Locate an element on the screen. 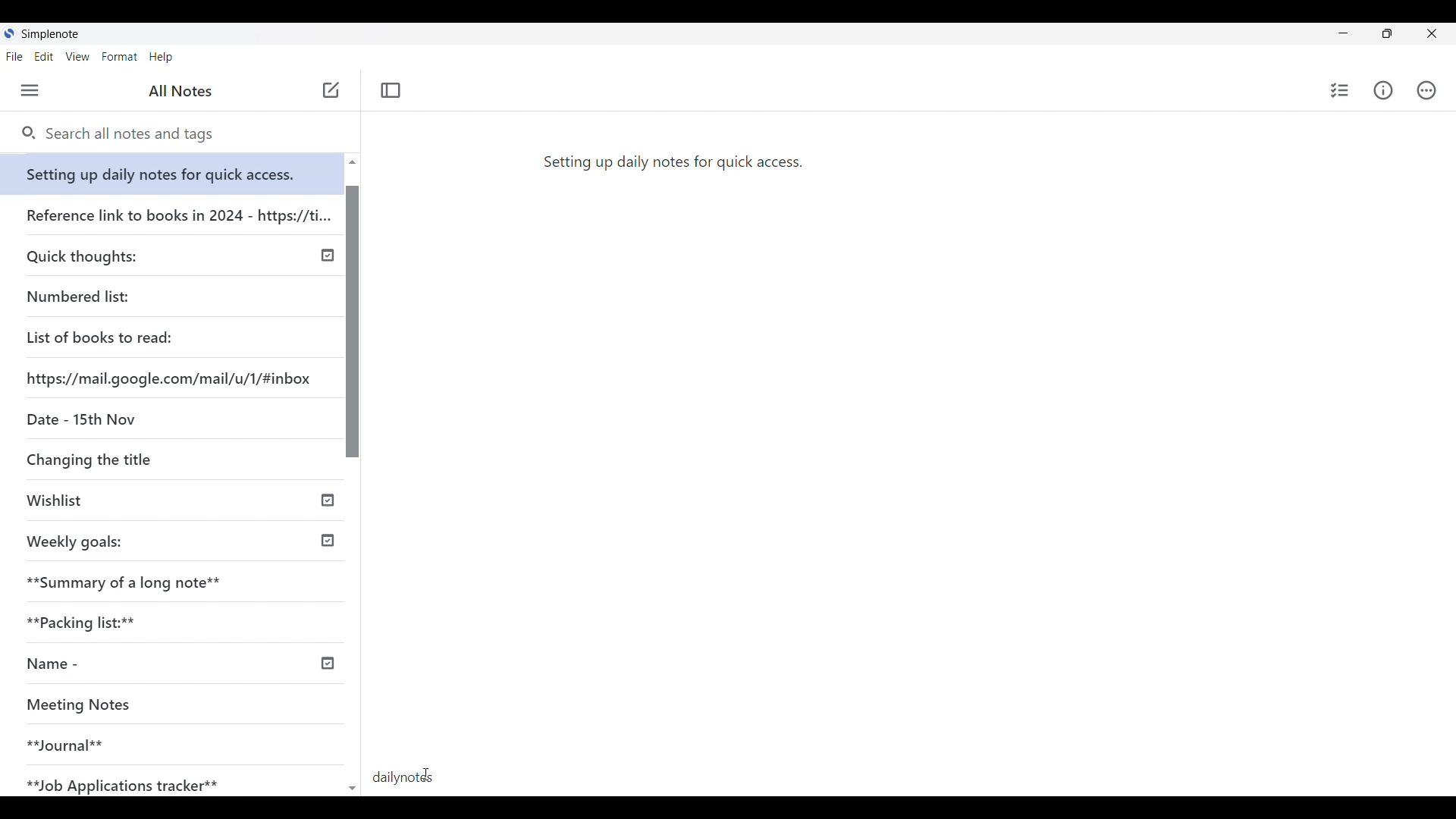 Image resolution: width=1456 pixels, height=819 pixels. Software note is located at coordinates (55, 34).